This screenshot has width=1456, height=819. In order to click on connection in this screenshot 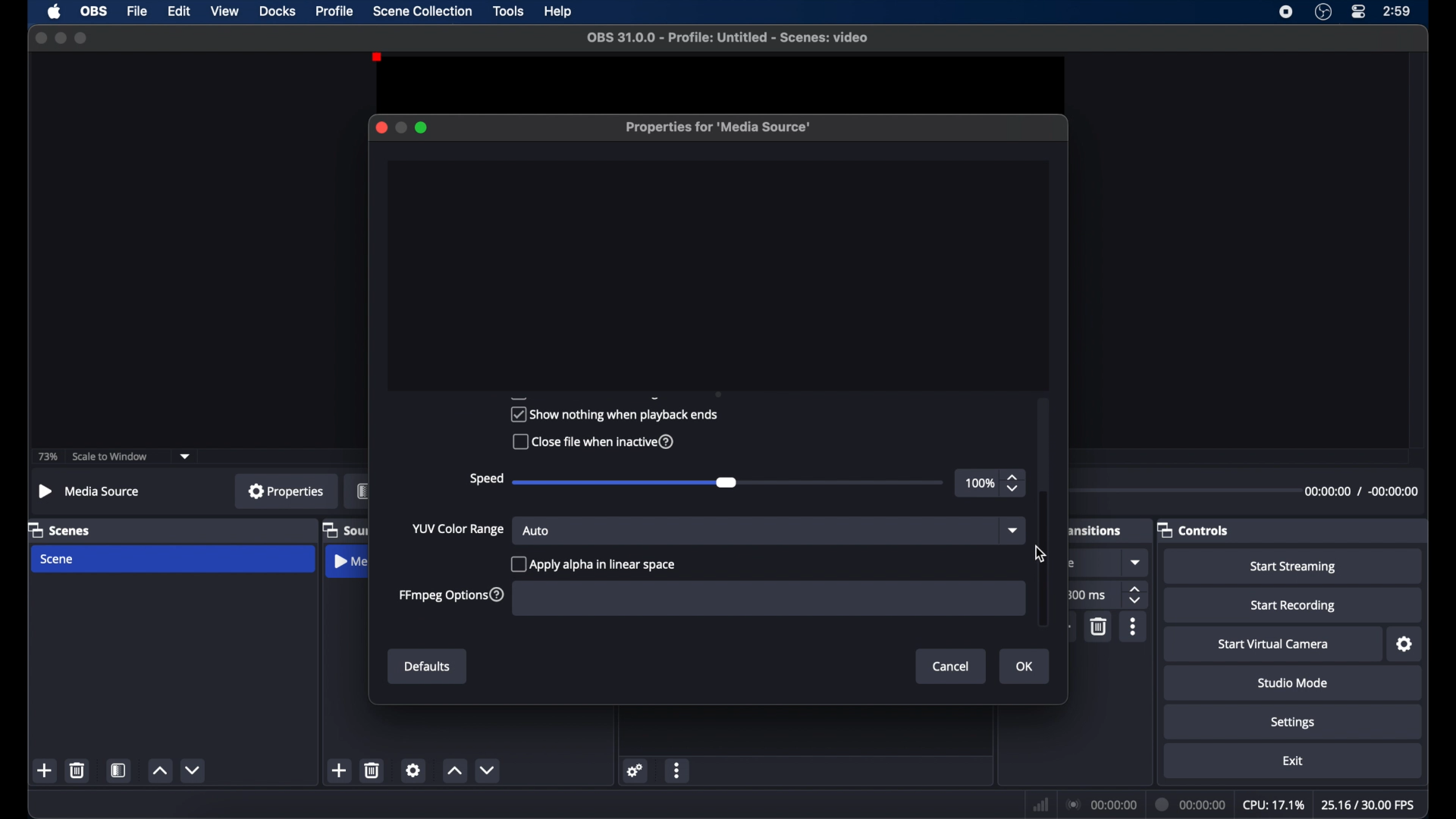, I will do `click(1100, 805)`.